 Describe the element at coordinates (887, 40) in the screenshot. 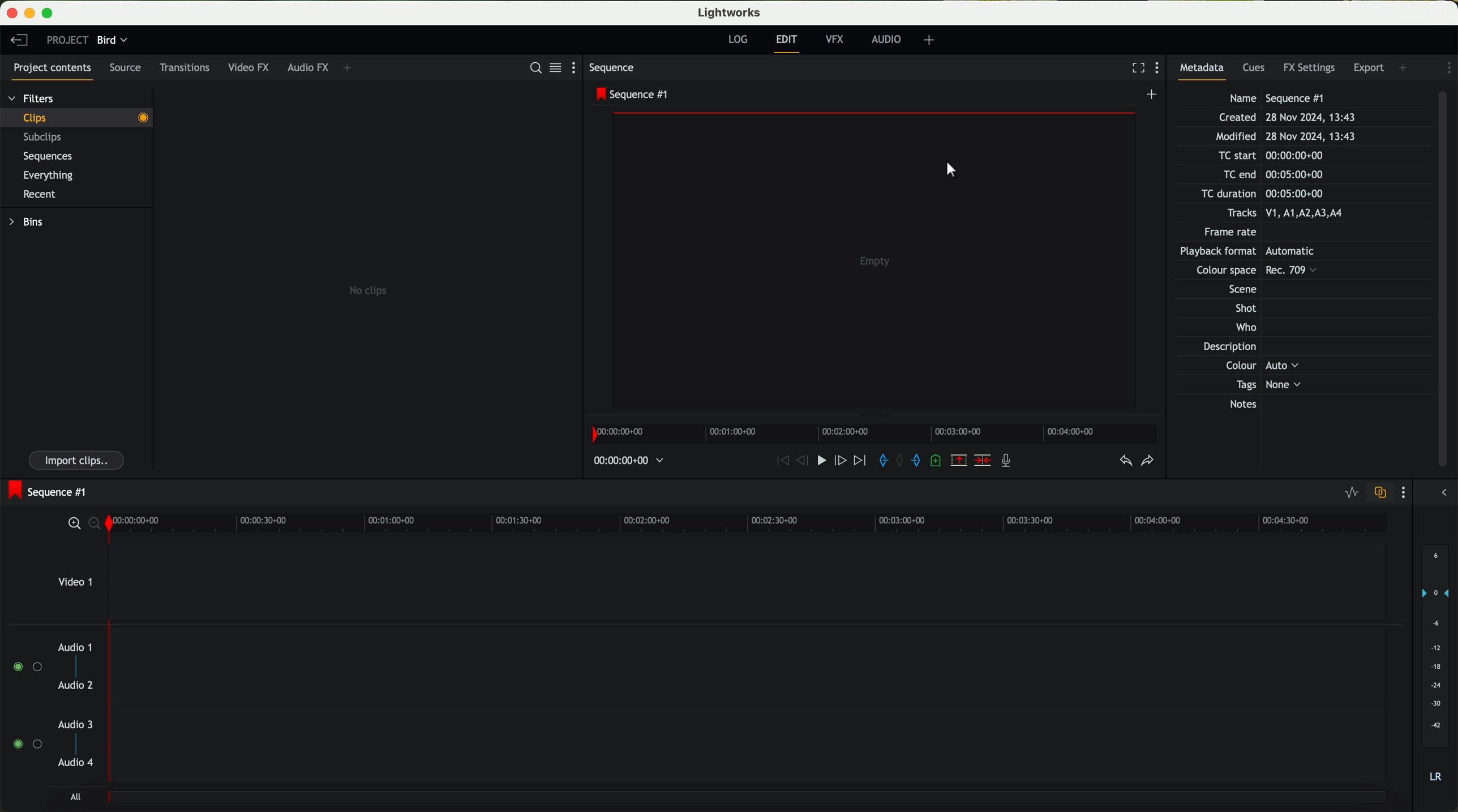

I see `audio` at that location.